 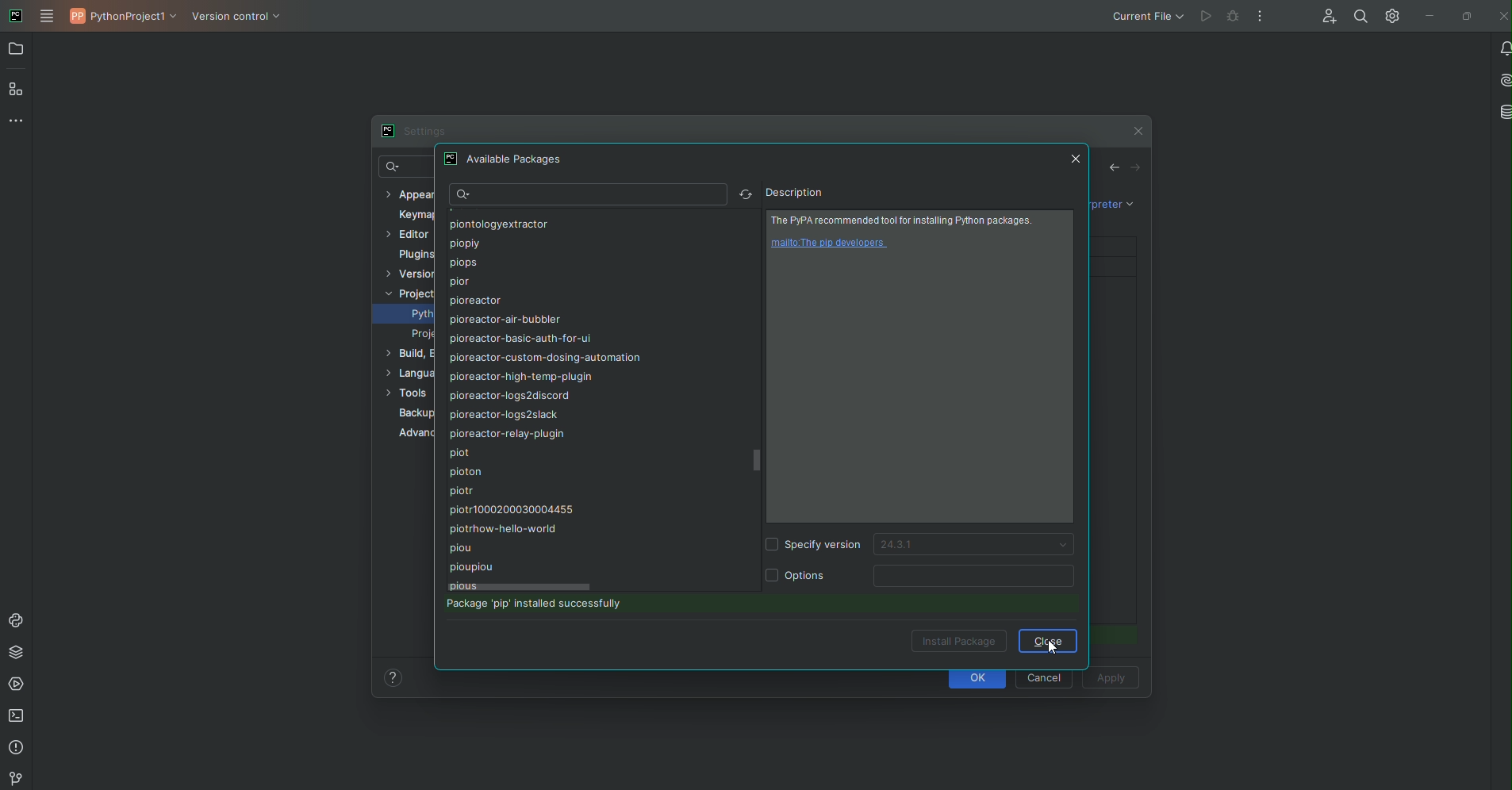 What do you see at coordinates (241, 21) in the screenshot?
I see `Version Control` at bounding box center [241, 21].